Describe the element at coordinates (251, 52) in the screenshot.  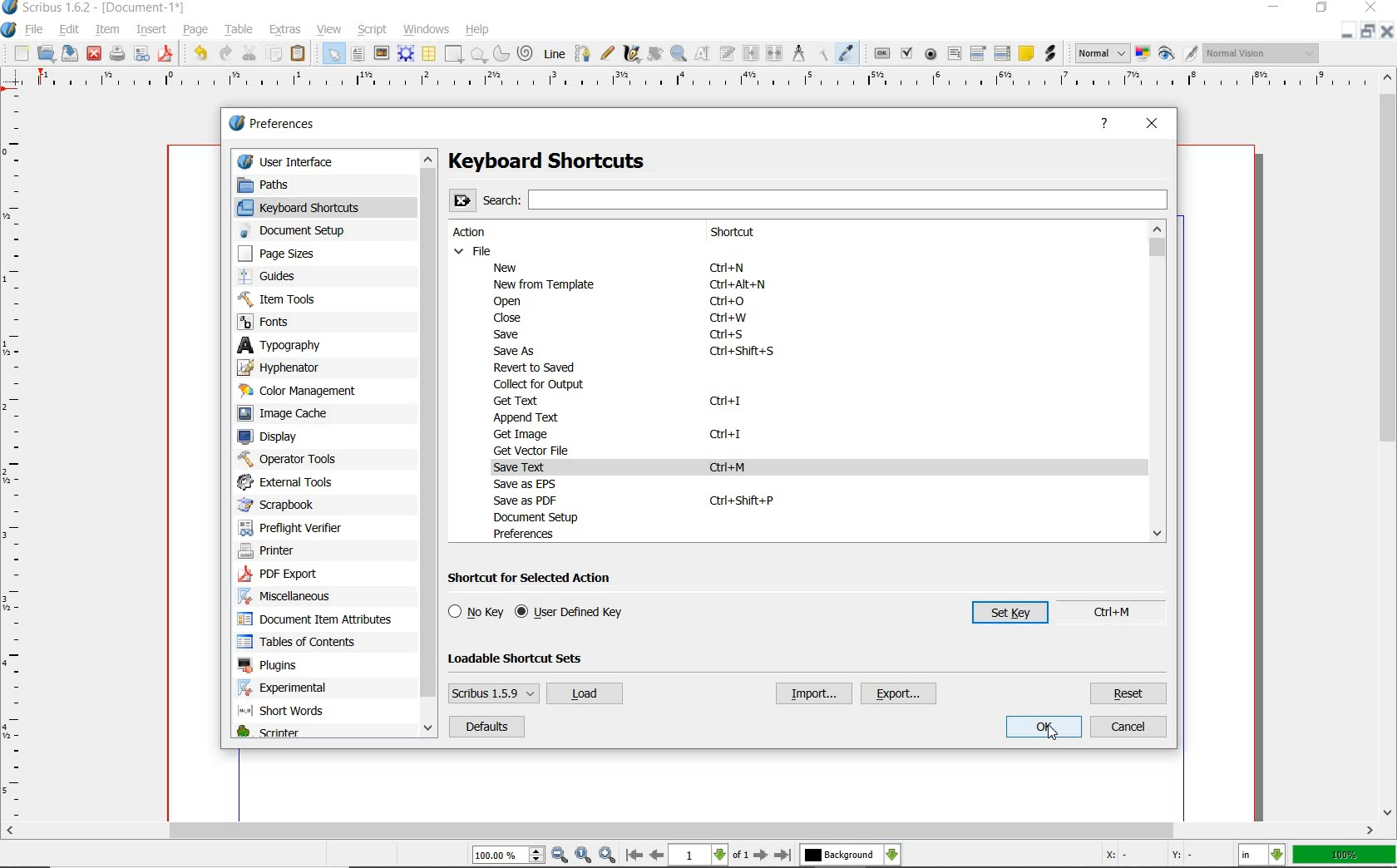
I see `cut` at that location.